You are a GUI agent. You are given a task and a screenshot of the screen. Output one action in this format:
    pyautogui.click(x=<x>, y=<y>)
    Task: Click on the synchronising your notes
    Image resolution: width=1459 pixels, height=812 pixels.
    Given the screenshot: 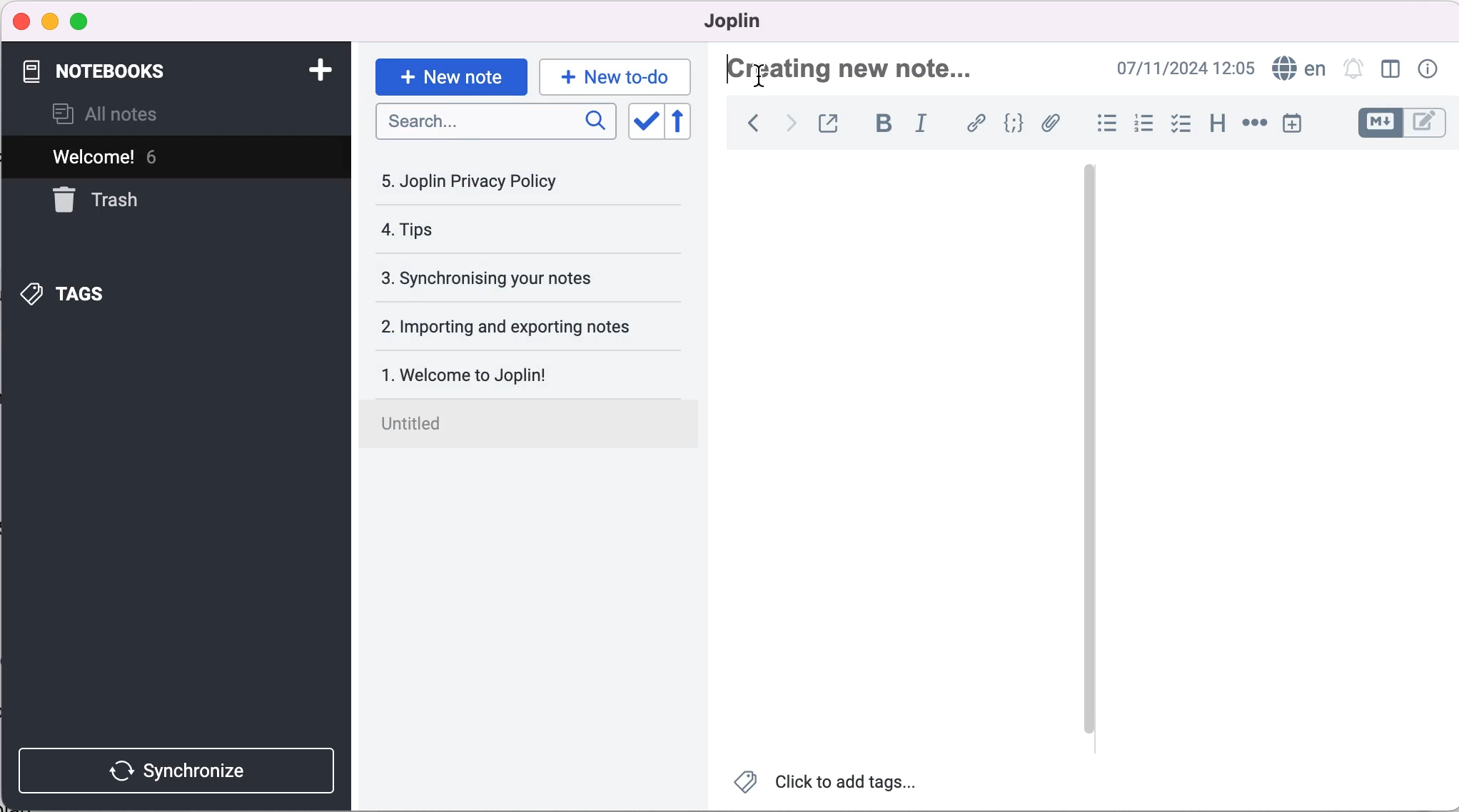 What is the action you would take?
    pyautogui.click(x=508, y=278)
    